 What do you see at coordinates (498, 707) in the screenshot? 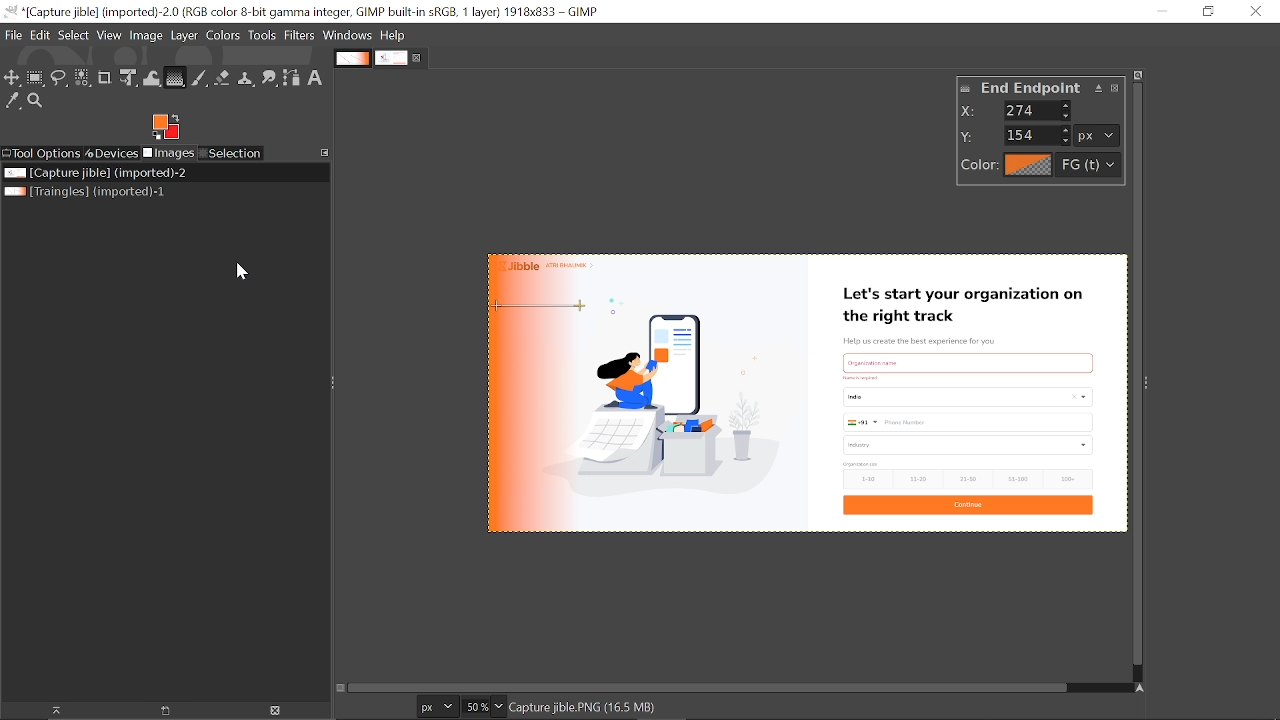
I see `Zoom options` at bounding box center [498, 707].